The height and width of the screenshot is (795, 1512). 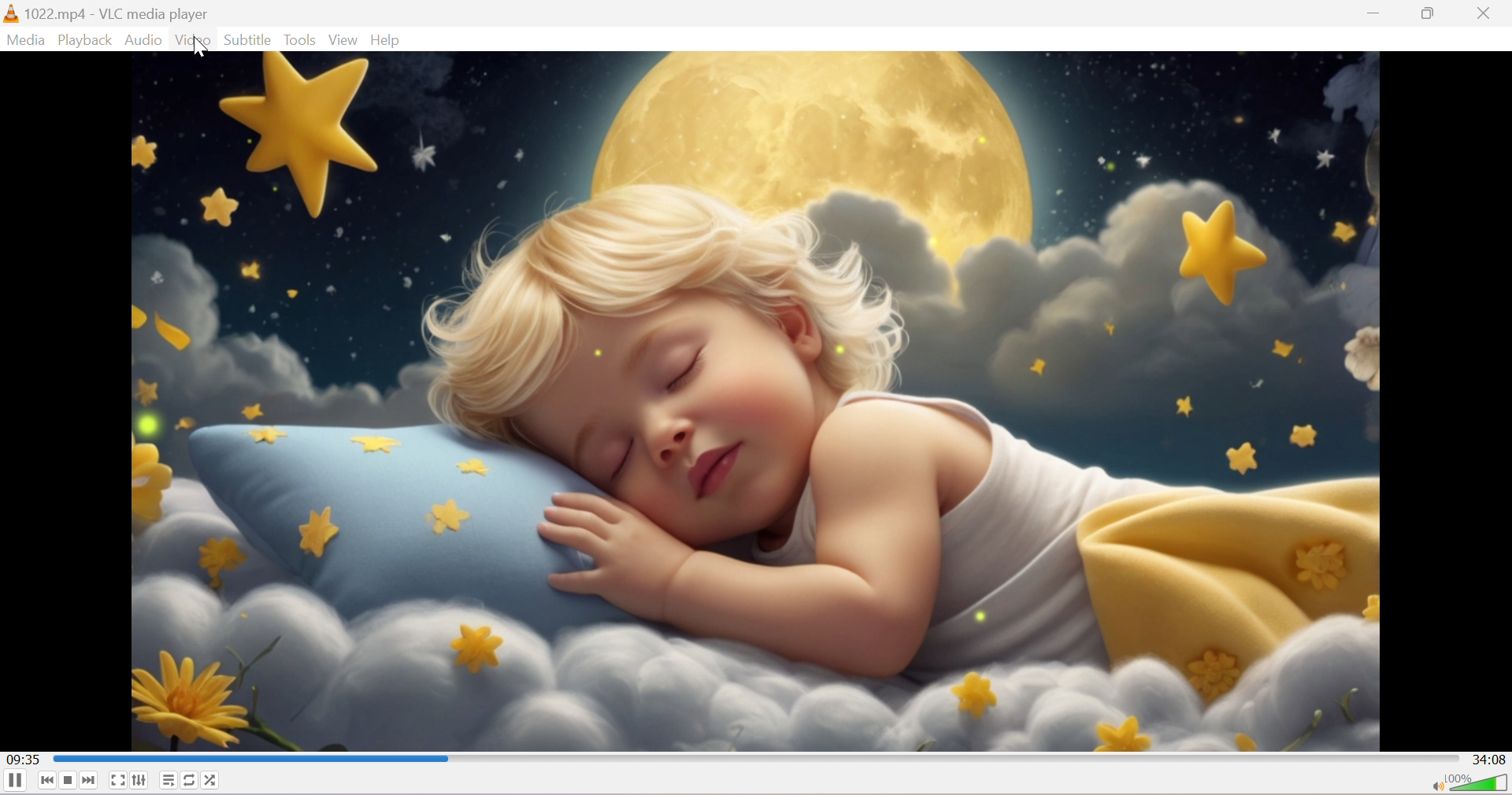 What do you see at coordinates (215, 780) in the screenshot?
I see `Random` at bounding box center [215, 780].